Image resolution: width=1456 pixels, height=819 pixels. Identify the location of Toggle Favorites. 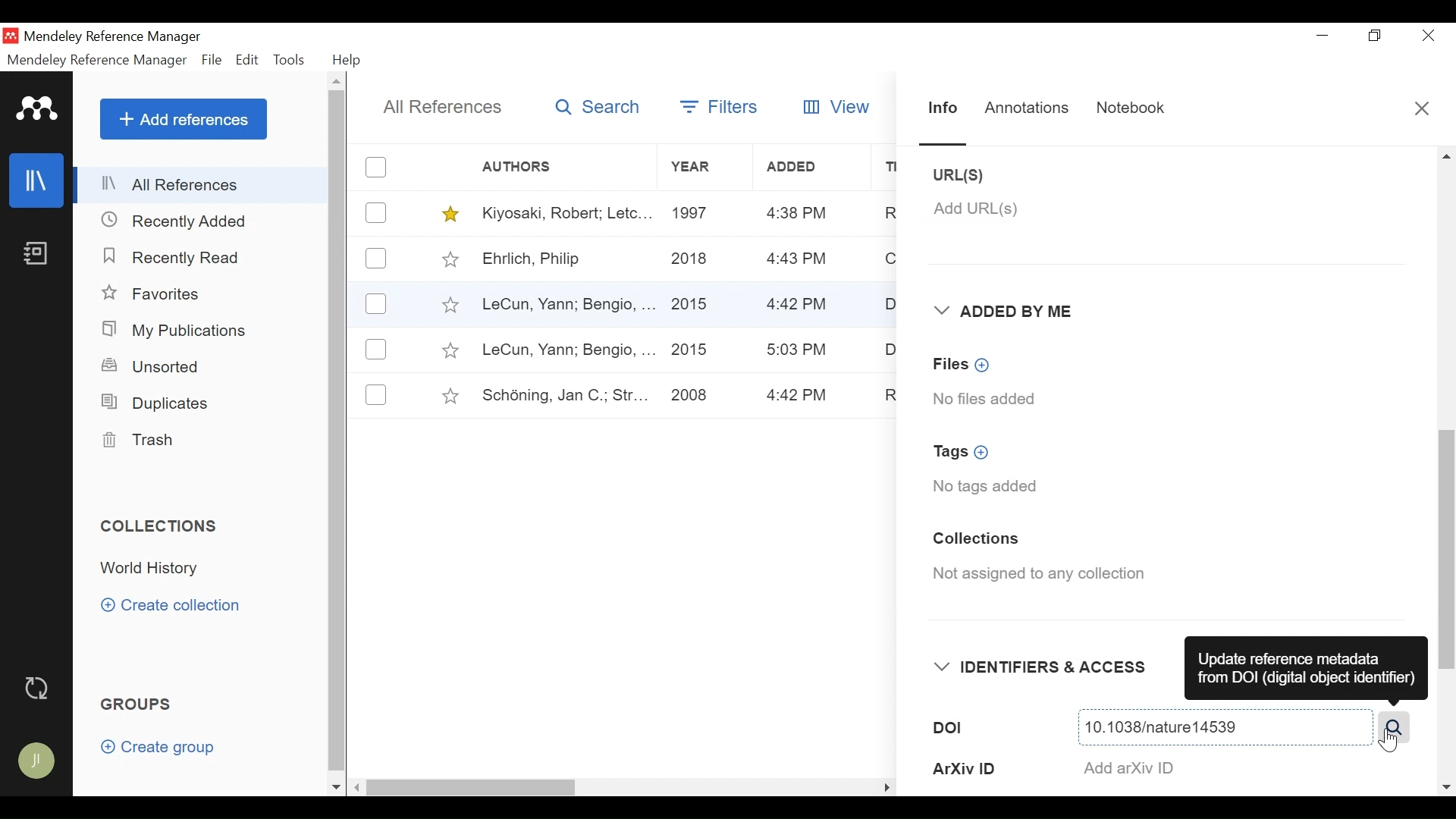
(450, 259).